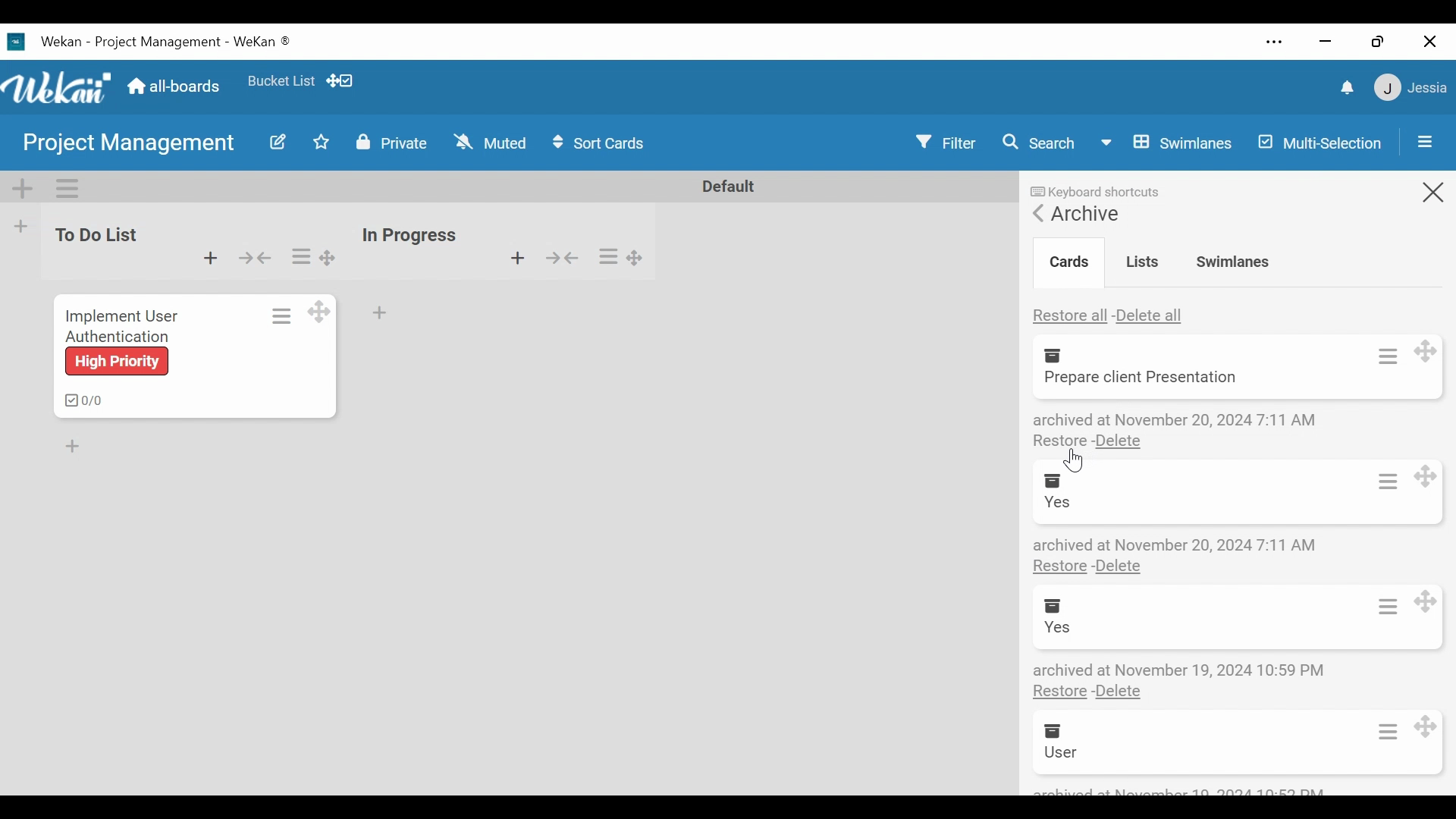 The height and width of the screenshot is (819, 1456). What do you see at coordinates (115, 362) in the screenshot?
I see `high priority` at bounding box center [115, 362].